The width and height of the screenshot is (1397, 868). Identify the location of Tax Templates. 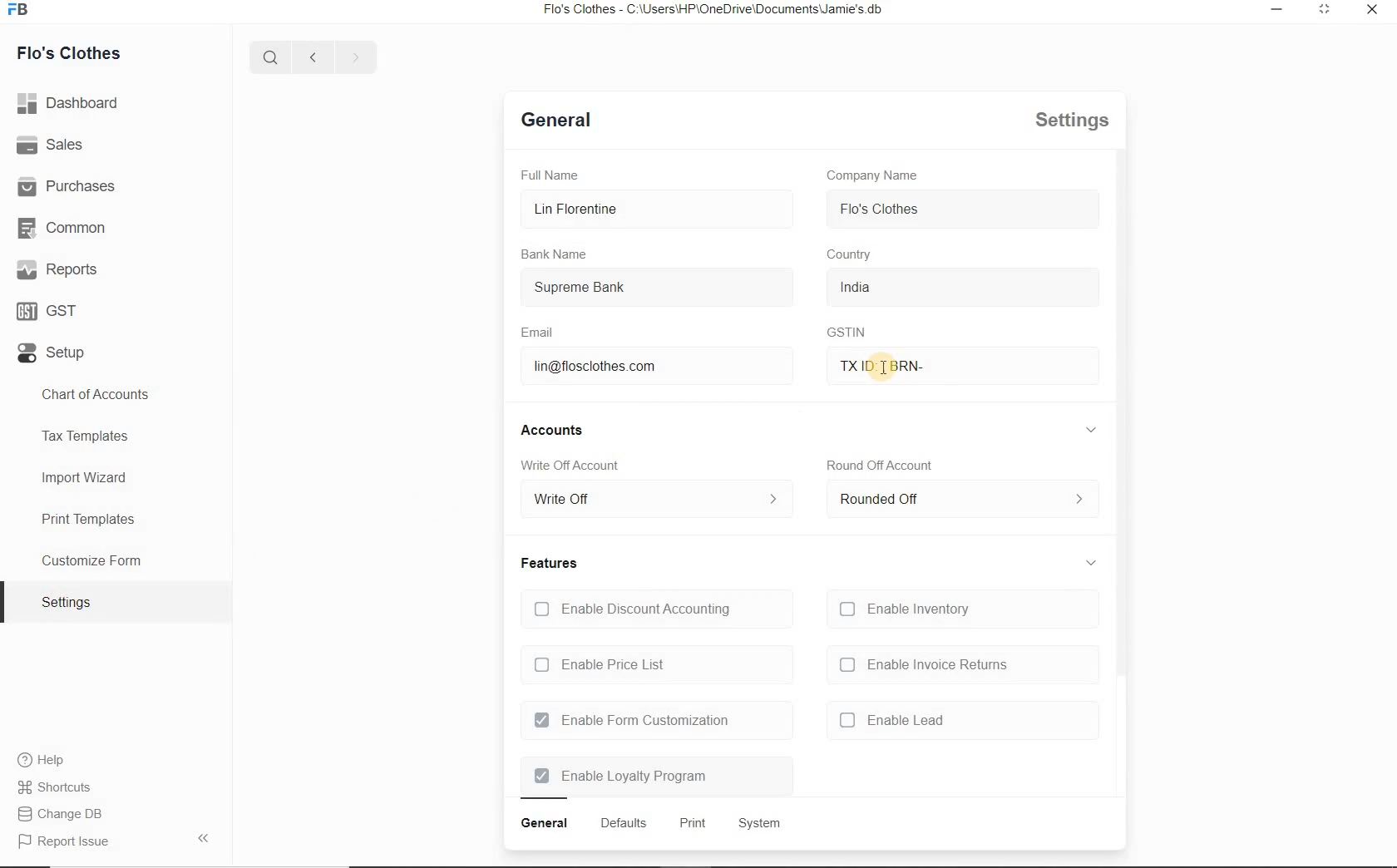
(87, 437).